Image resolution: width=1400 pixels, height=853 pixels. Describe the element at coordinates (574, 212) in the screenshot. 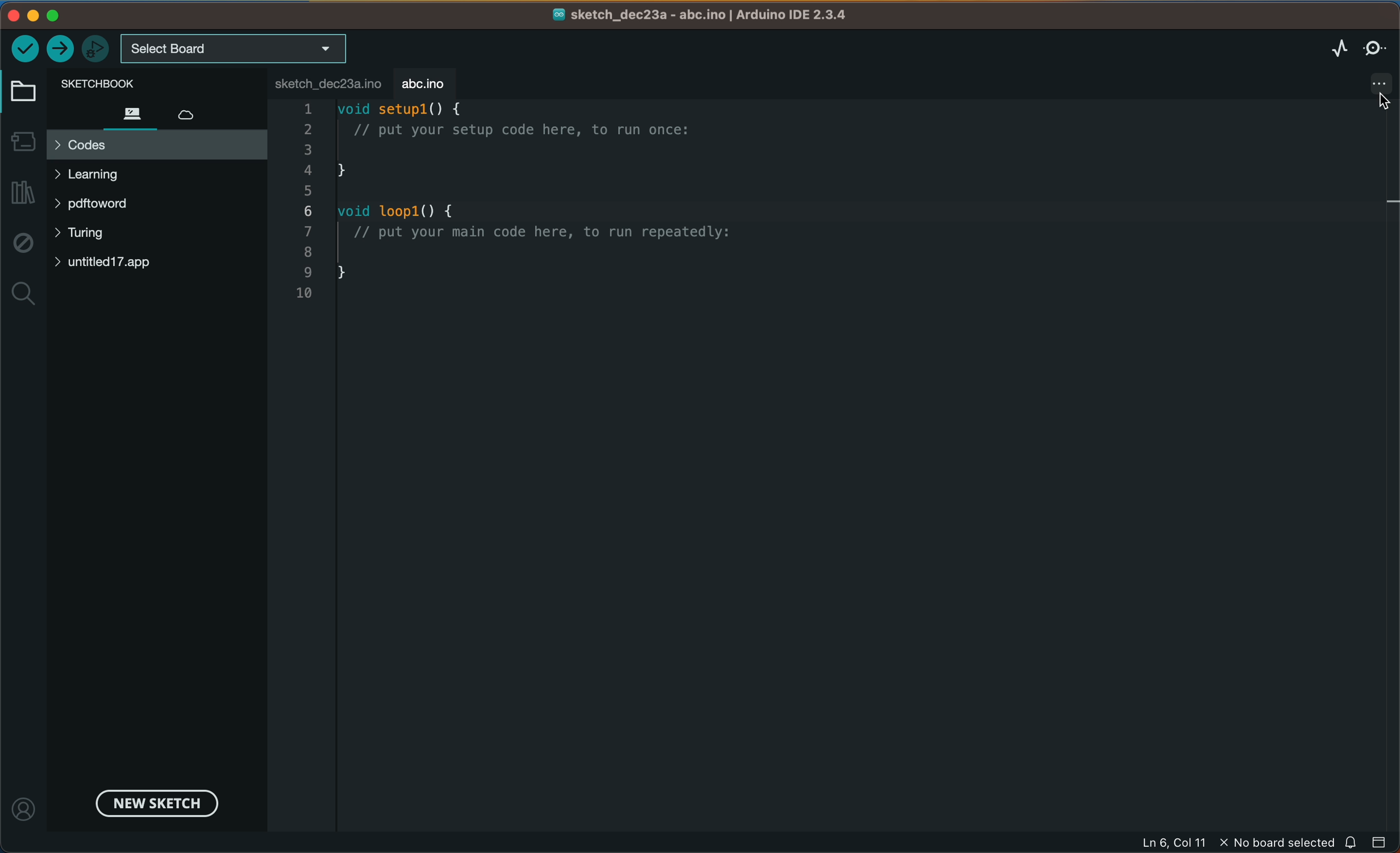

I see `code` at that location.